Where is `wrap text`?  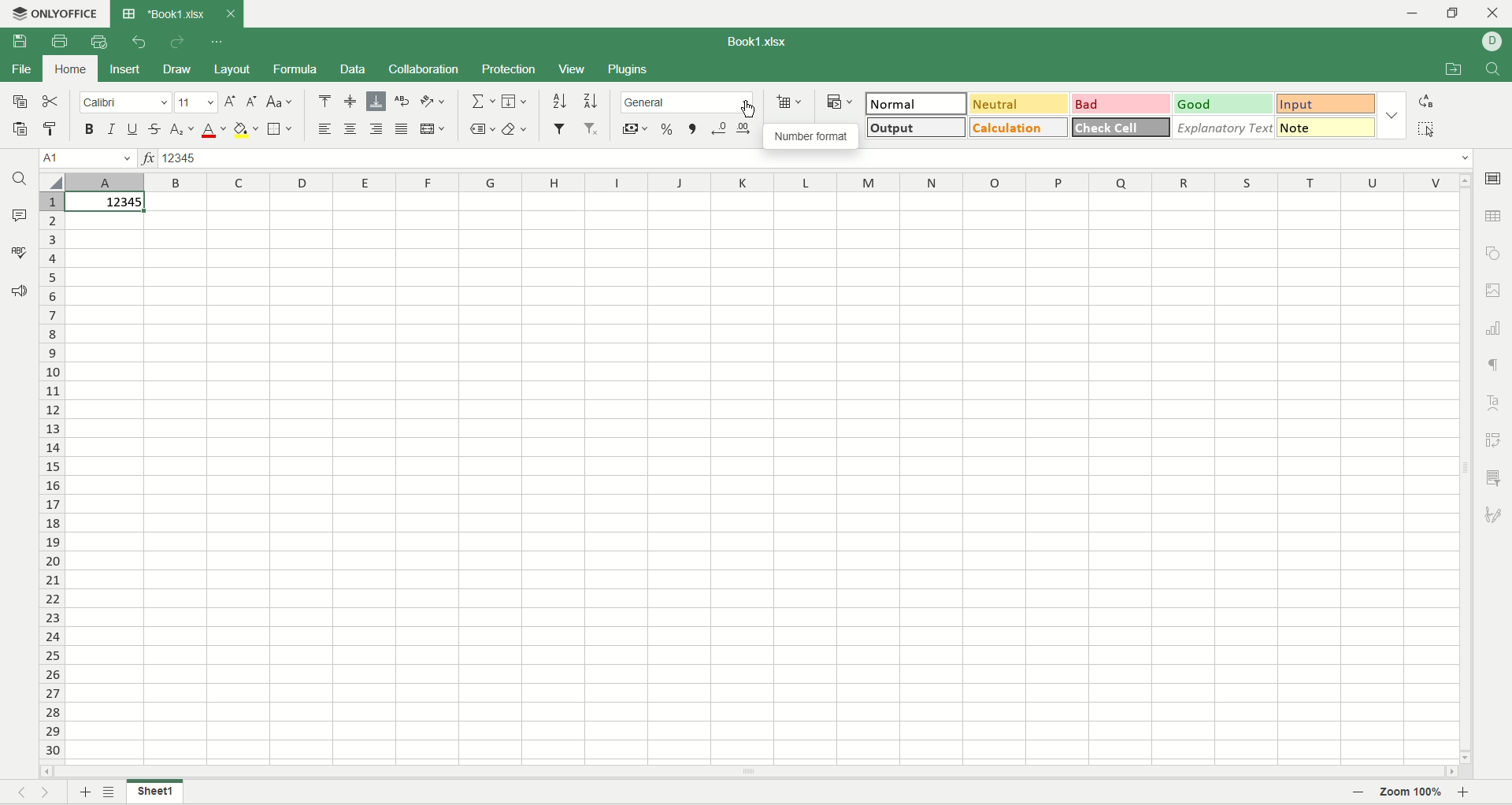
wrap text is located at coordinates (403, 102).